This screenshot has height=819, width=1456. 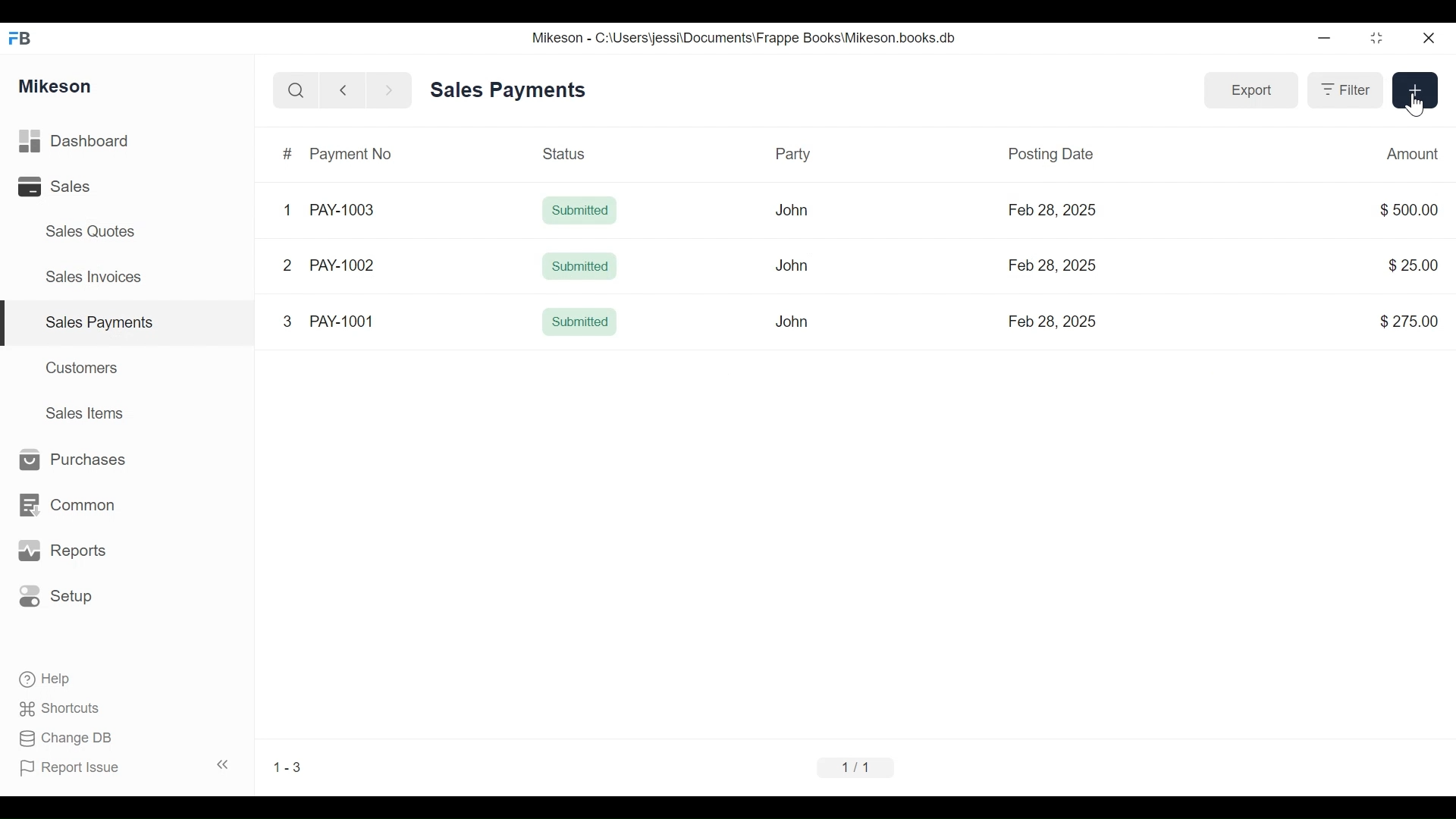 What do you see at coordinates (1409, 264) in the screenshot?
I see `$25.00` at bounding box center [1409, 264].